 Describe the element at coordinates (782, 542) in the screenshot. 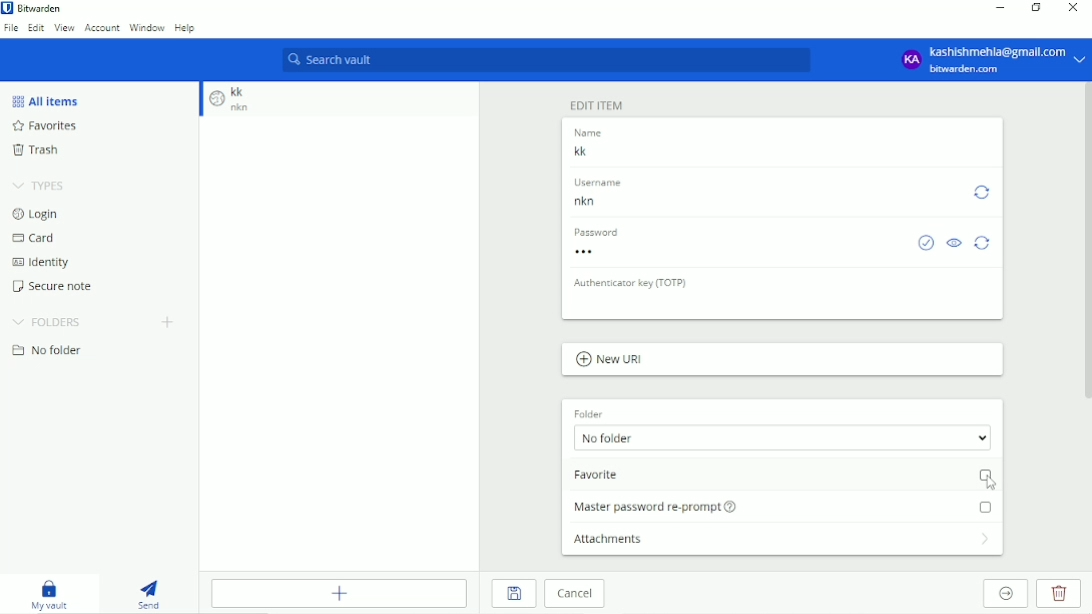

I see `Attachments` at that location.